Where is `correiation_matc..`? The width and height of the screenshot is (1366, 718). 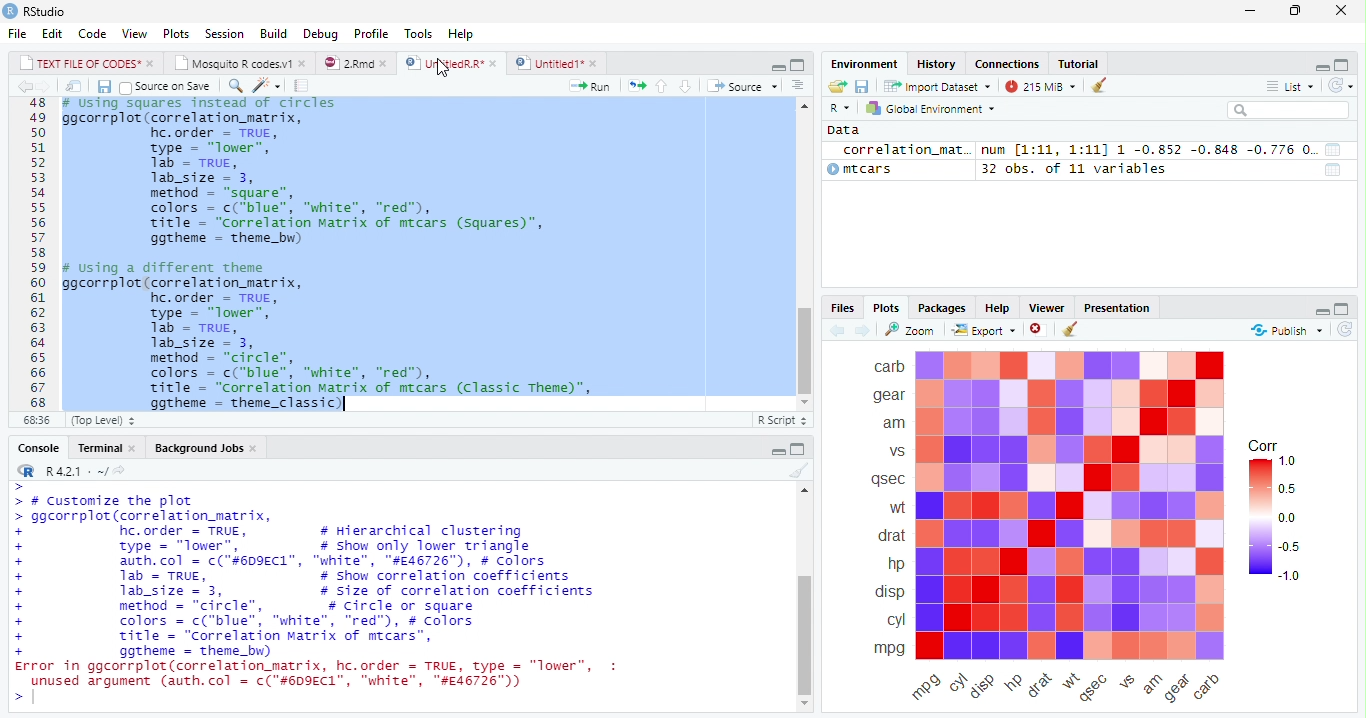
correiation_matc.. is located at coordinates (906, 149).